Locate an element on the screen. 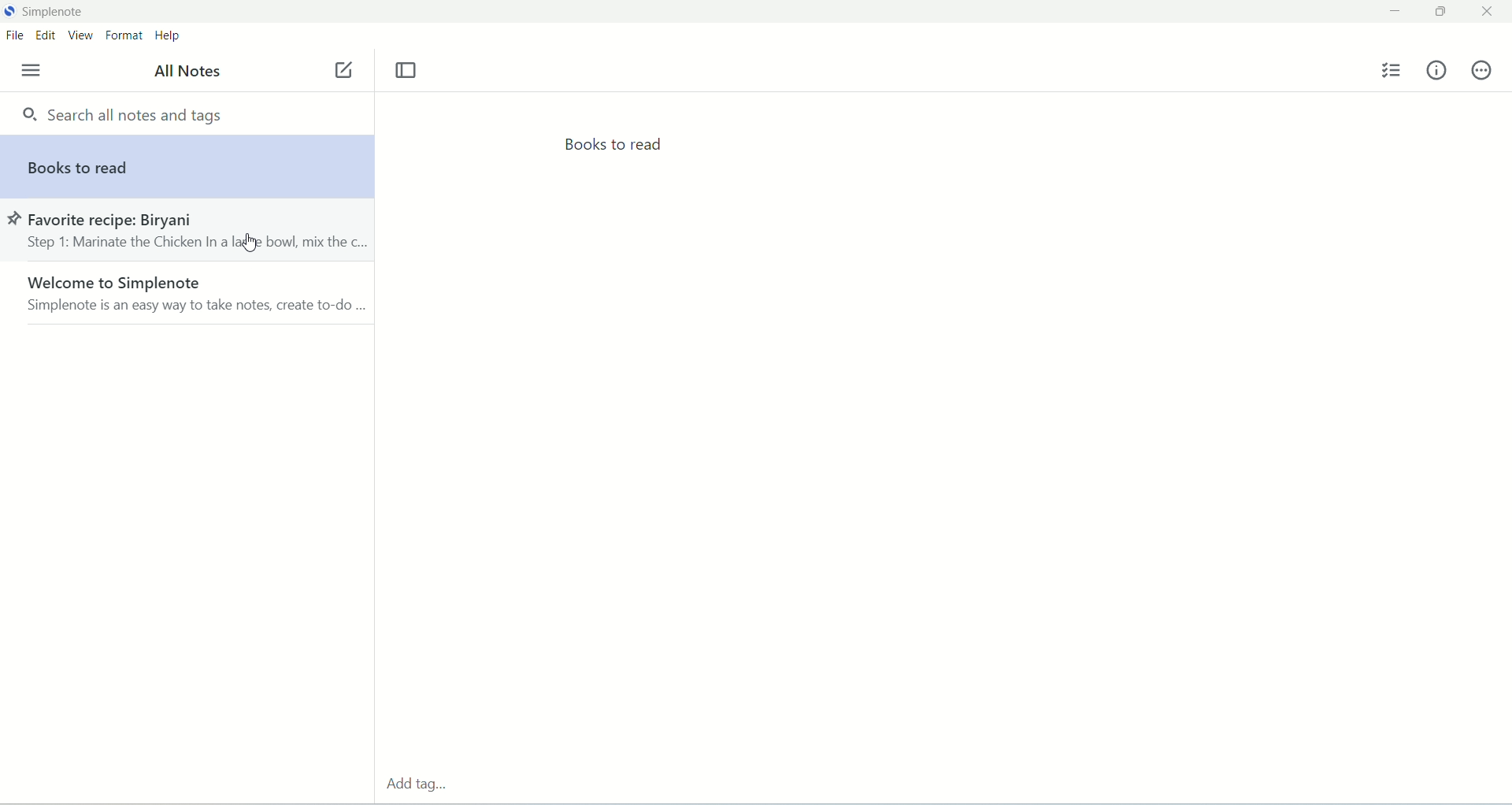 This screenshot has width=1512, height=805. all notes is located at coordinates (187, 69).